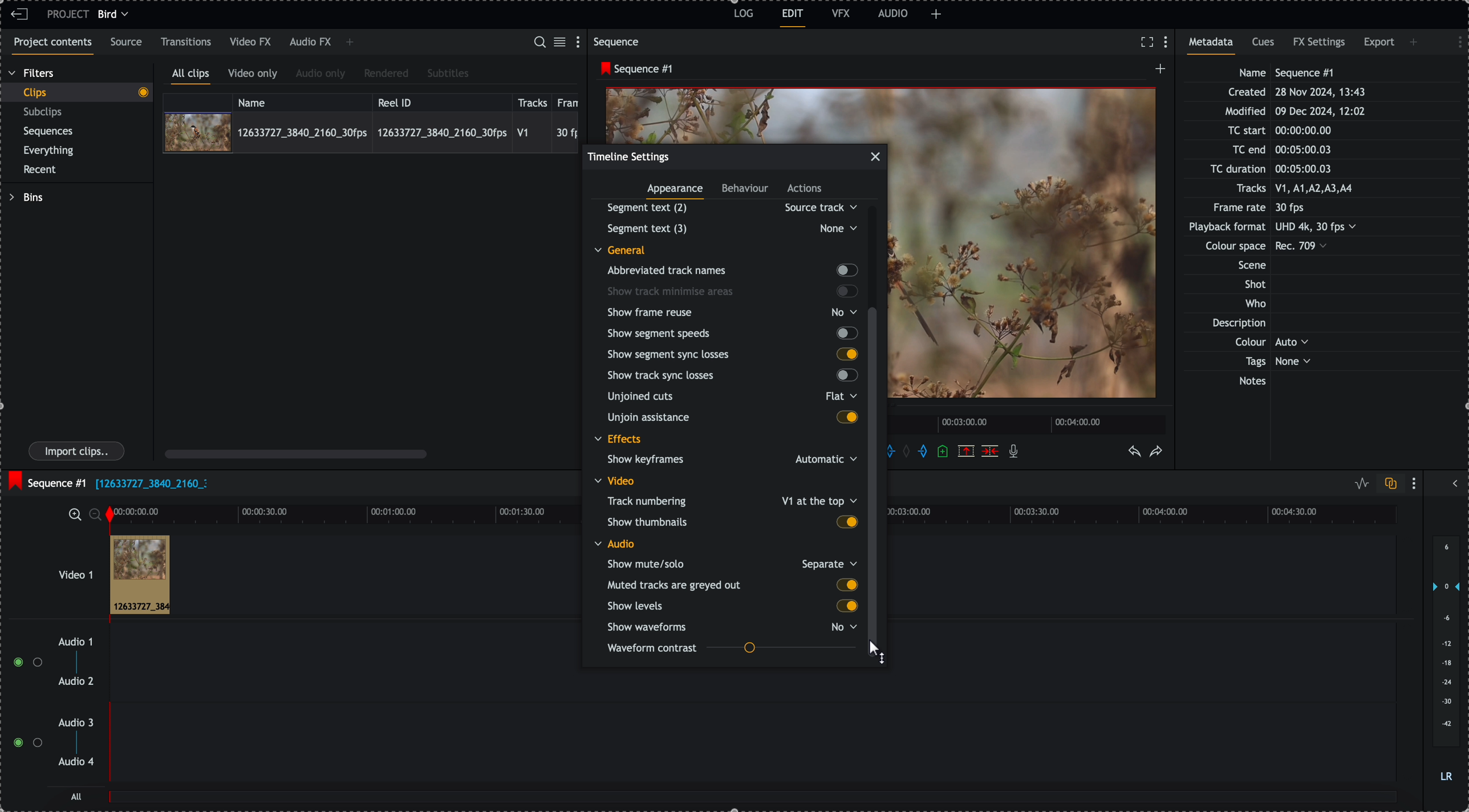 The width and height of the screenshot is (1469, 812). Describe the element at coordinates (619, 42) in the screenshot. I see `sequence` at that location.